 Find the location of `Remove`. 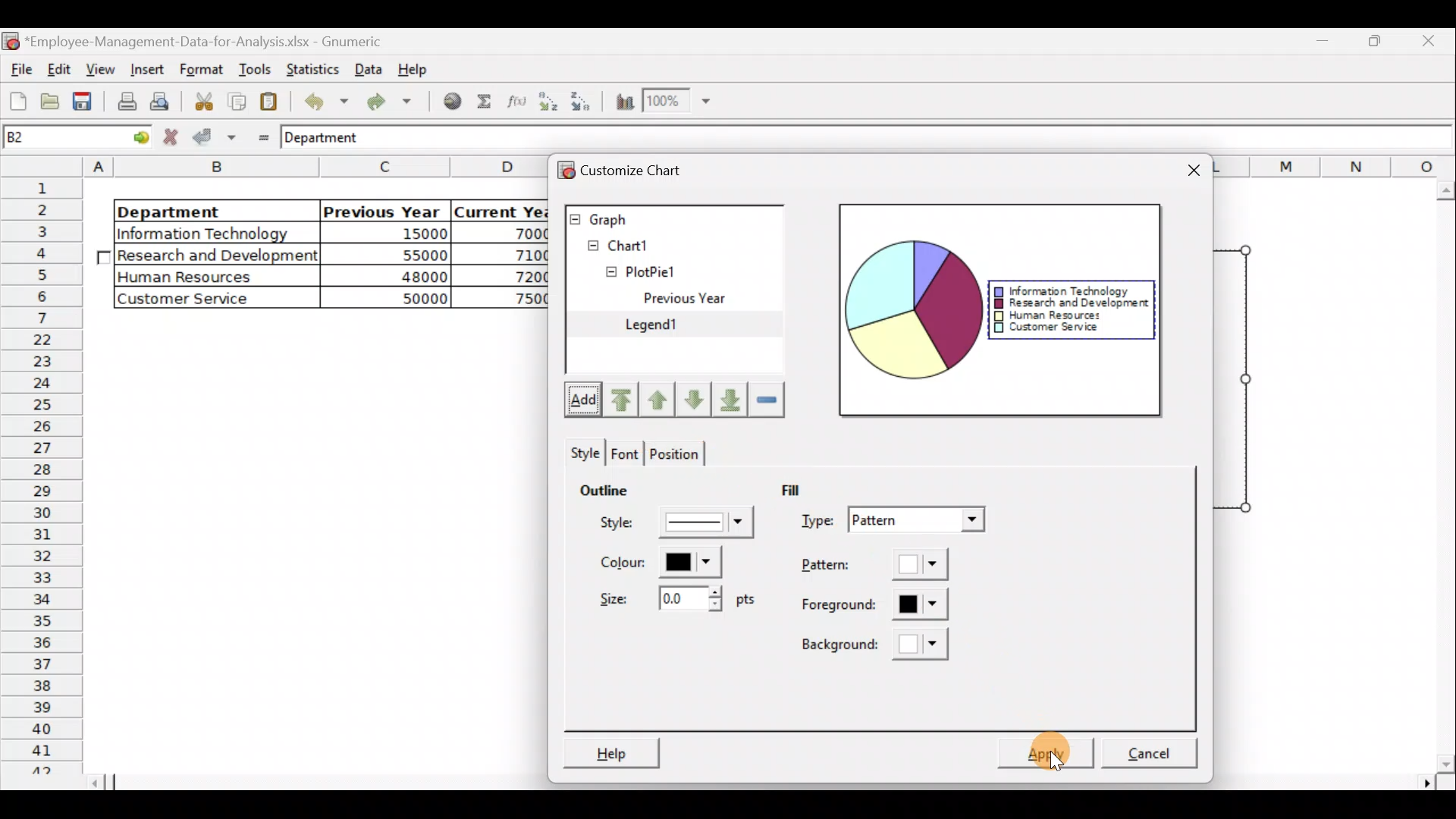

Remove is located at coordinates (766, 400).